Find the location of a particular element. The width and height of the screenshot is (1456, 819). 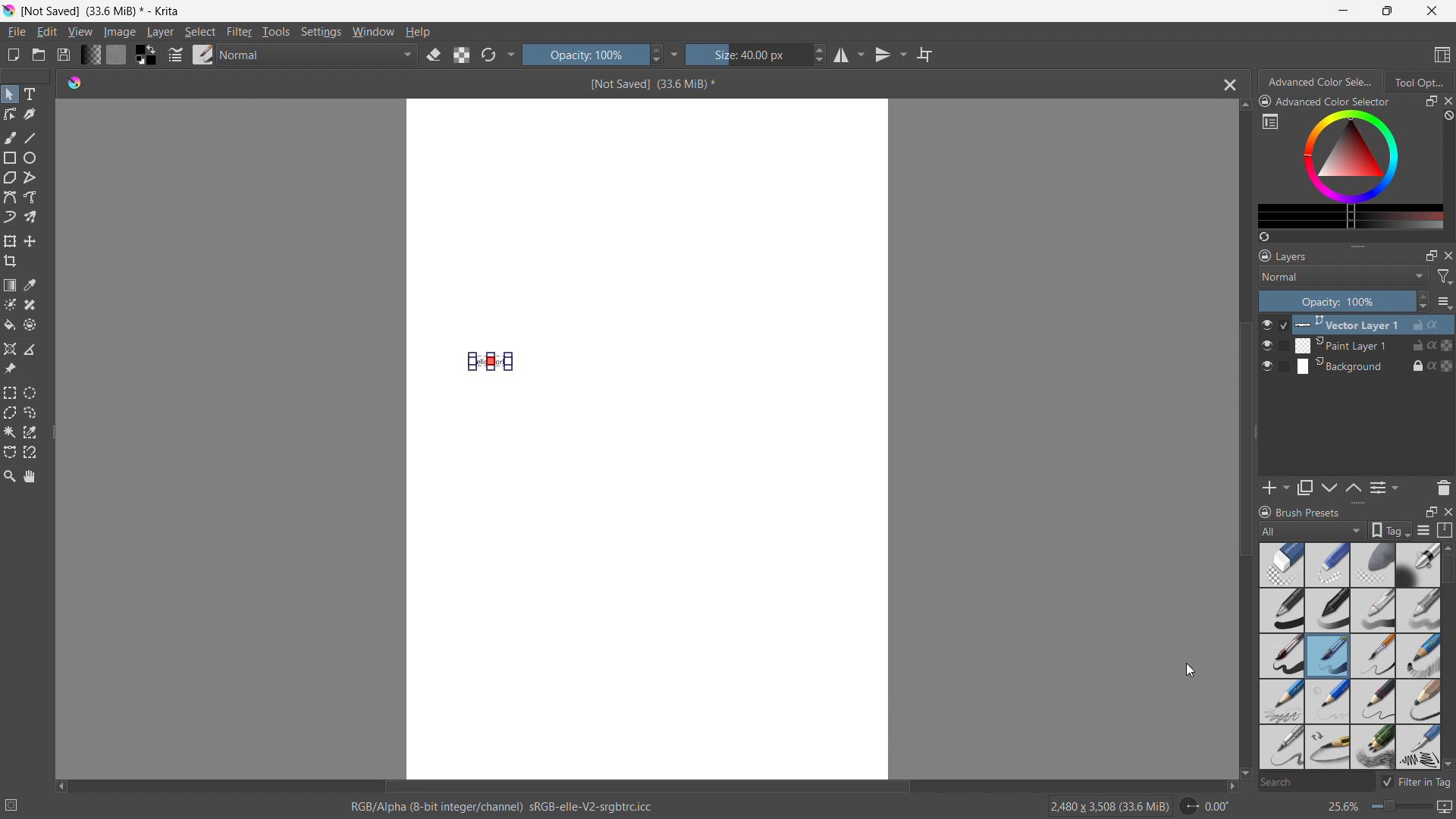

color wheels is located at coordinates (1351, 155).